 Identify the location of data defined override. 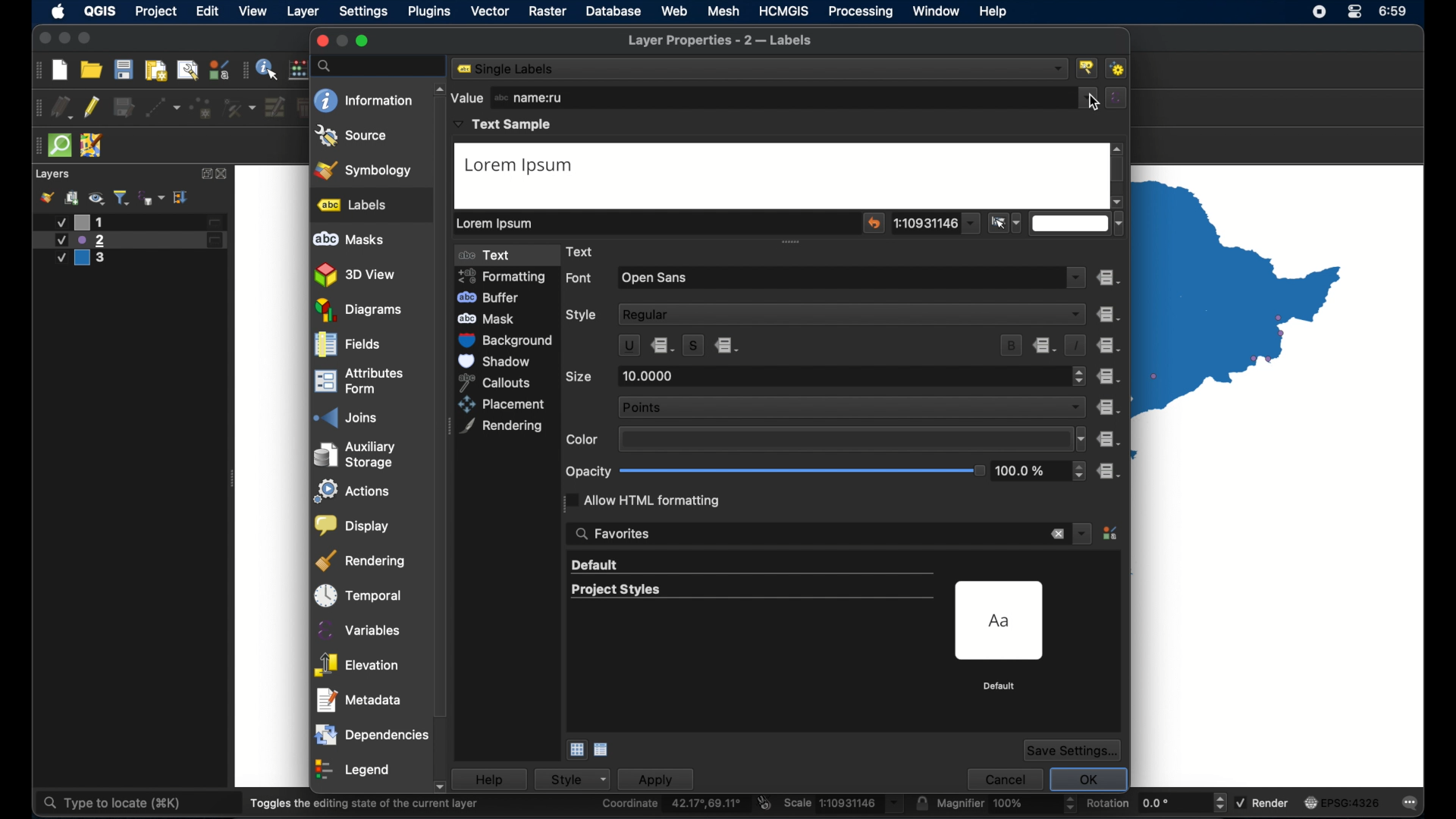
(1110, 278).